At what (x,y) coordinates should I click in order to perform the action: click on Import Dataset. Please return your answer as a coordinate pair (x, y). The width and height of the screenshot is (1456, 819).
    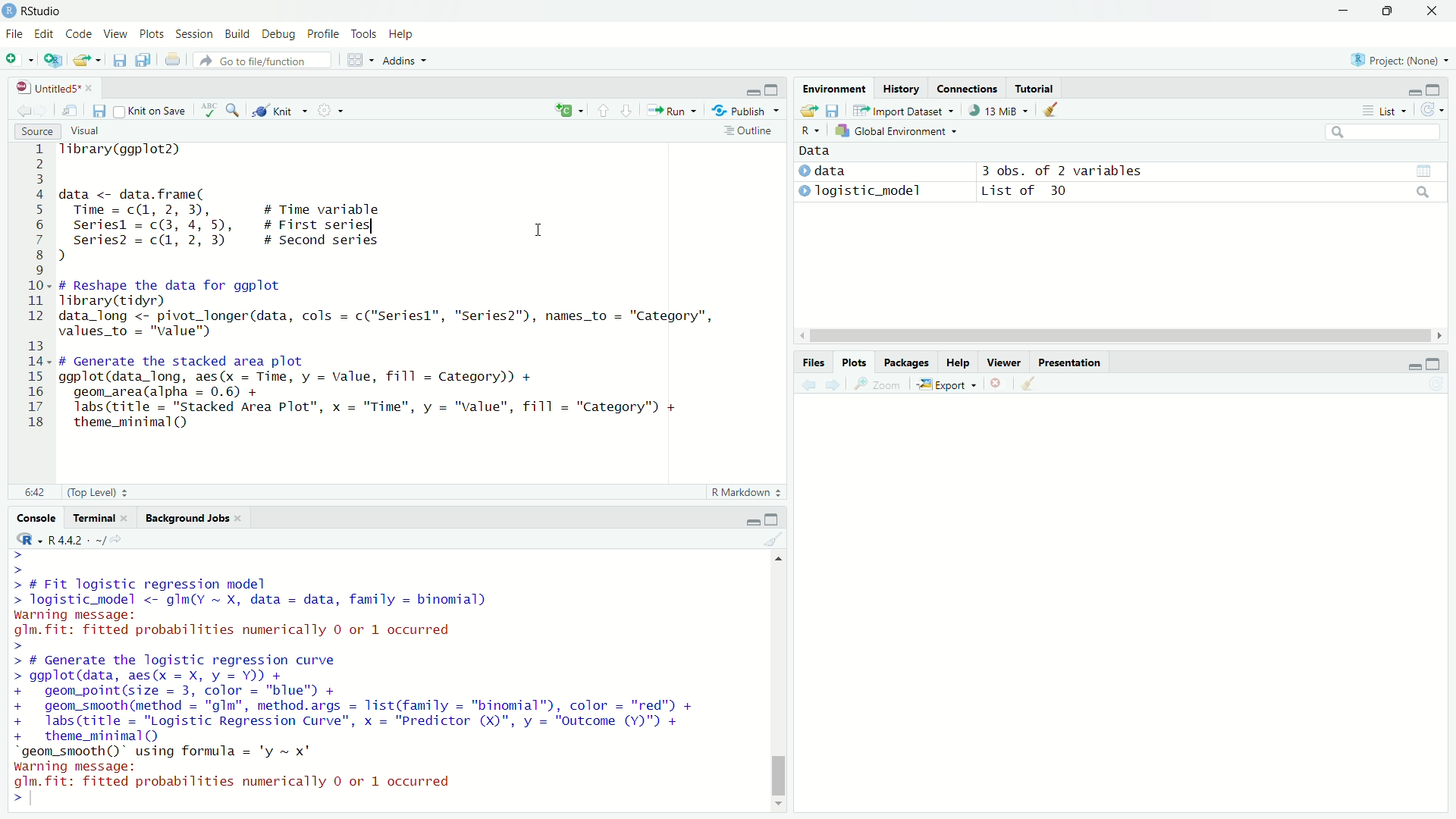
    Looking at the image, I should click on (910, 113).